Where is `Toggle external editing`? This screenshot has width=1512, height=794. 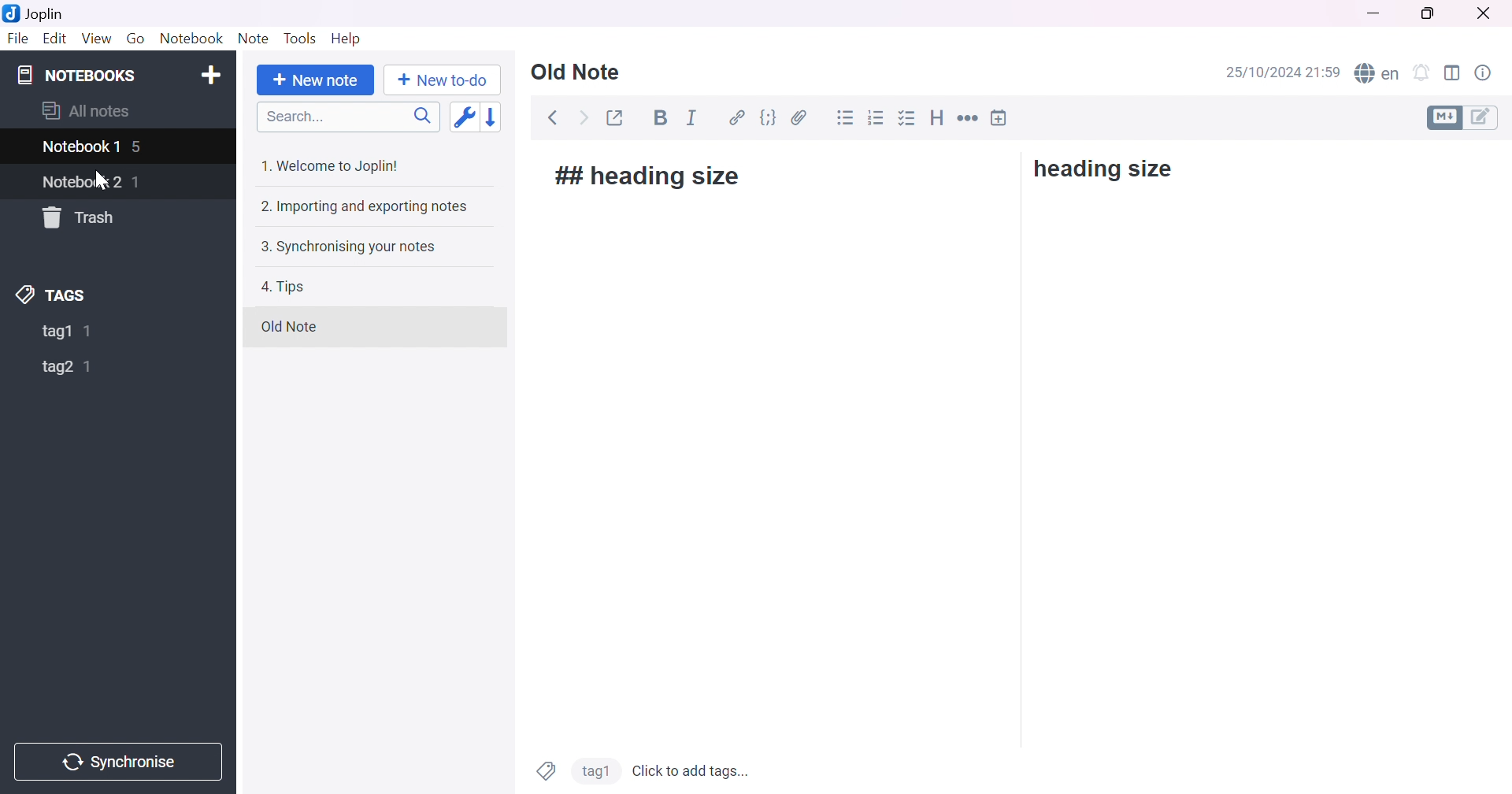 Toggle external editing is located at coordinates (613, 118).